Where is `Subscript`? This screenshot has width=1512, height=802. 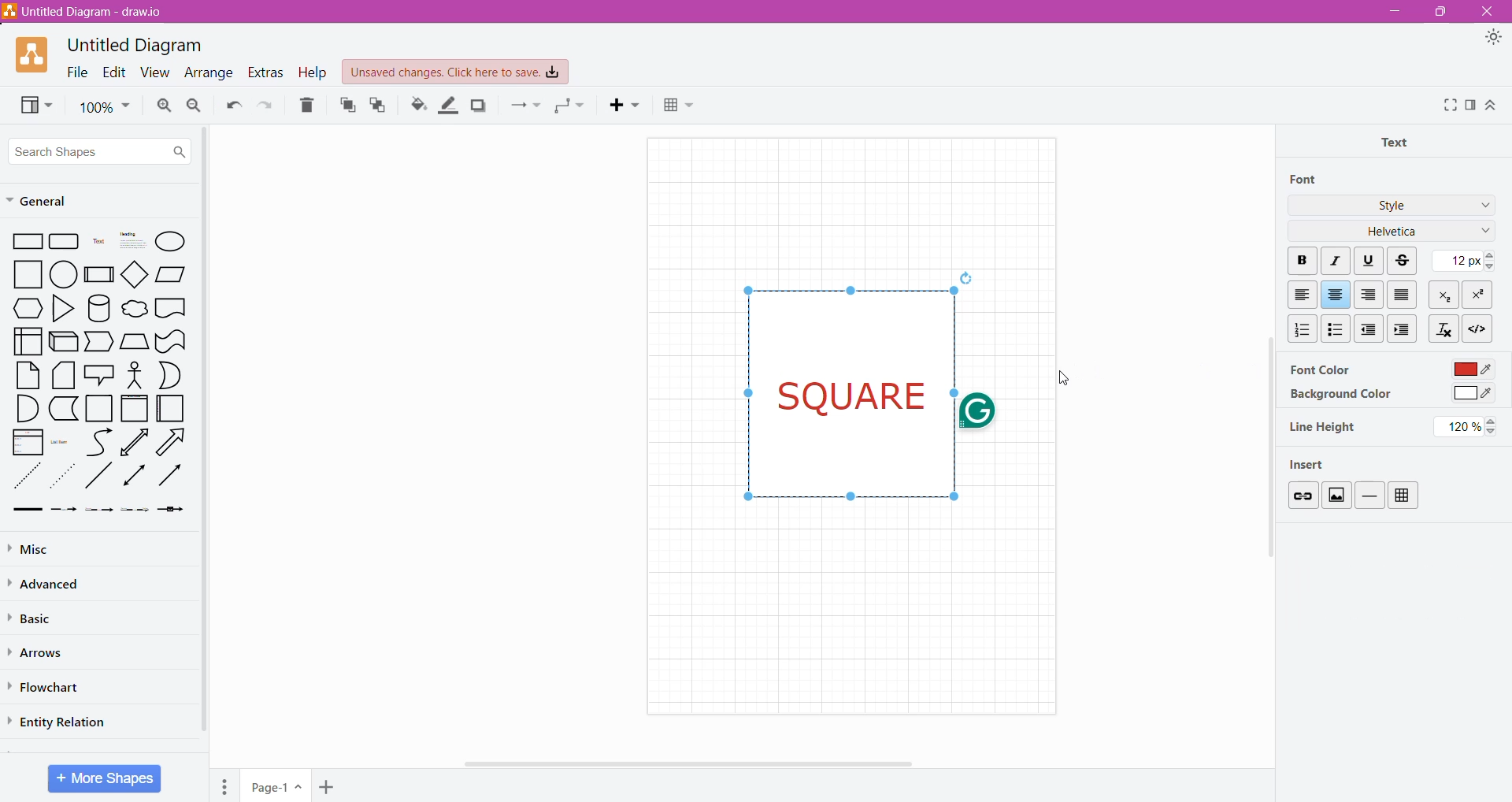 Subscript is located at coordinates (1445, 294).